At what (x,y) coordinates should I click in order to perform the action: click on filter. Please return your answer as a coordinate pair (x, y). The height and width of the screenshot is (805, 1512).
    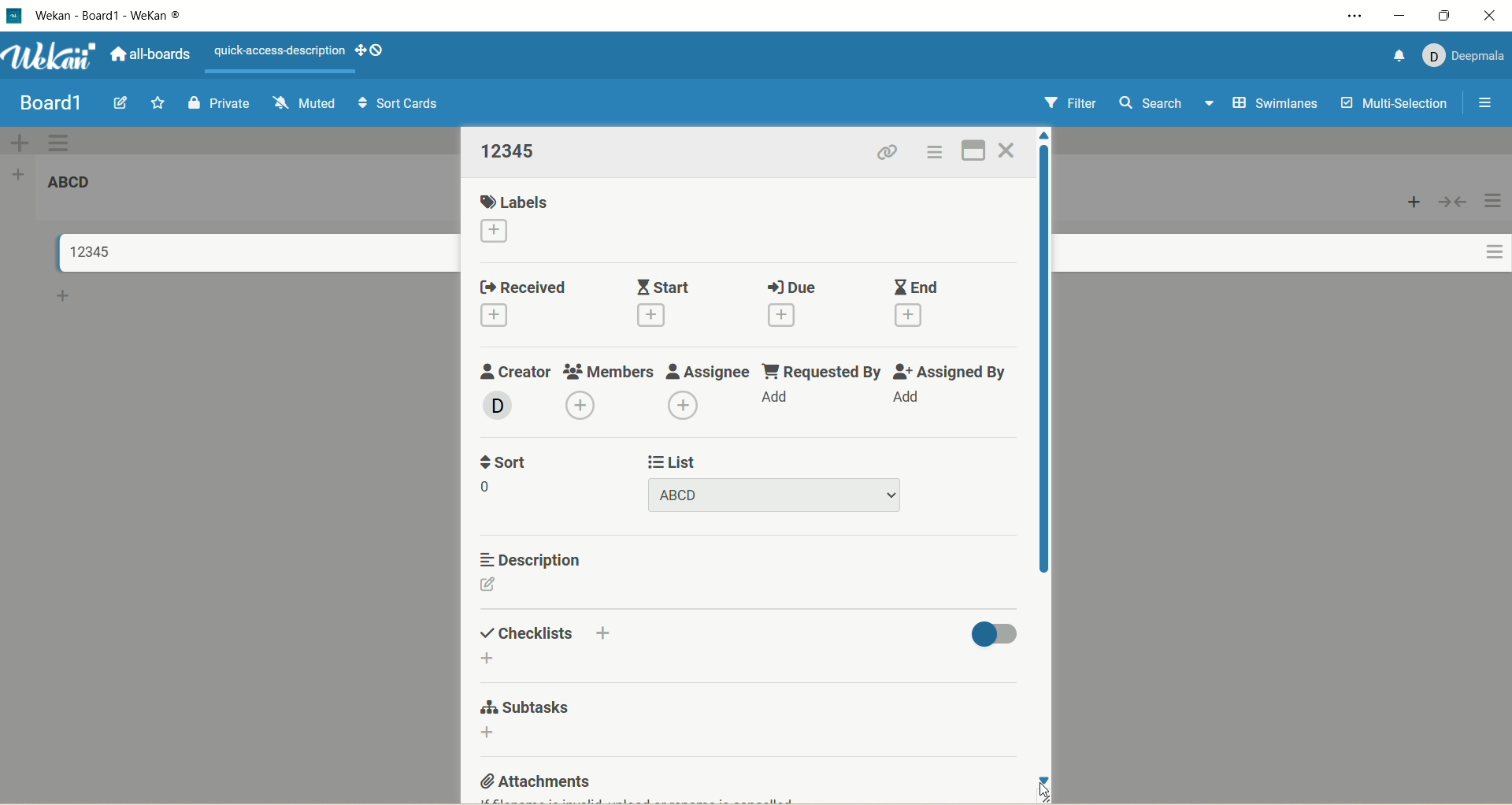
    Looking at the image, I should click on (1067, 105).